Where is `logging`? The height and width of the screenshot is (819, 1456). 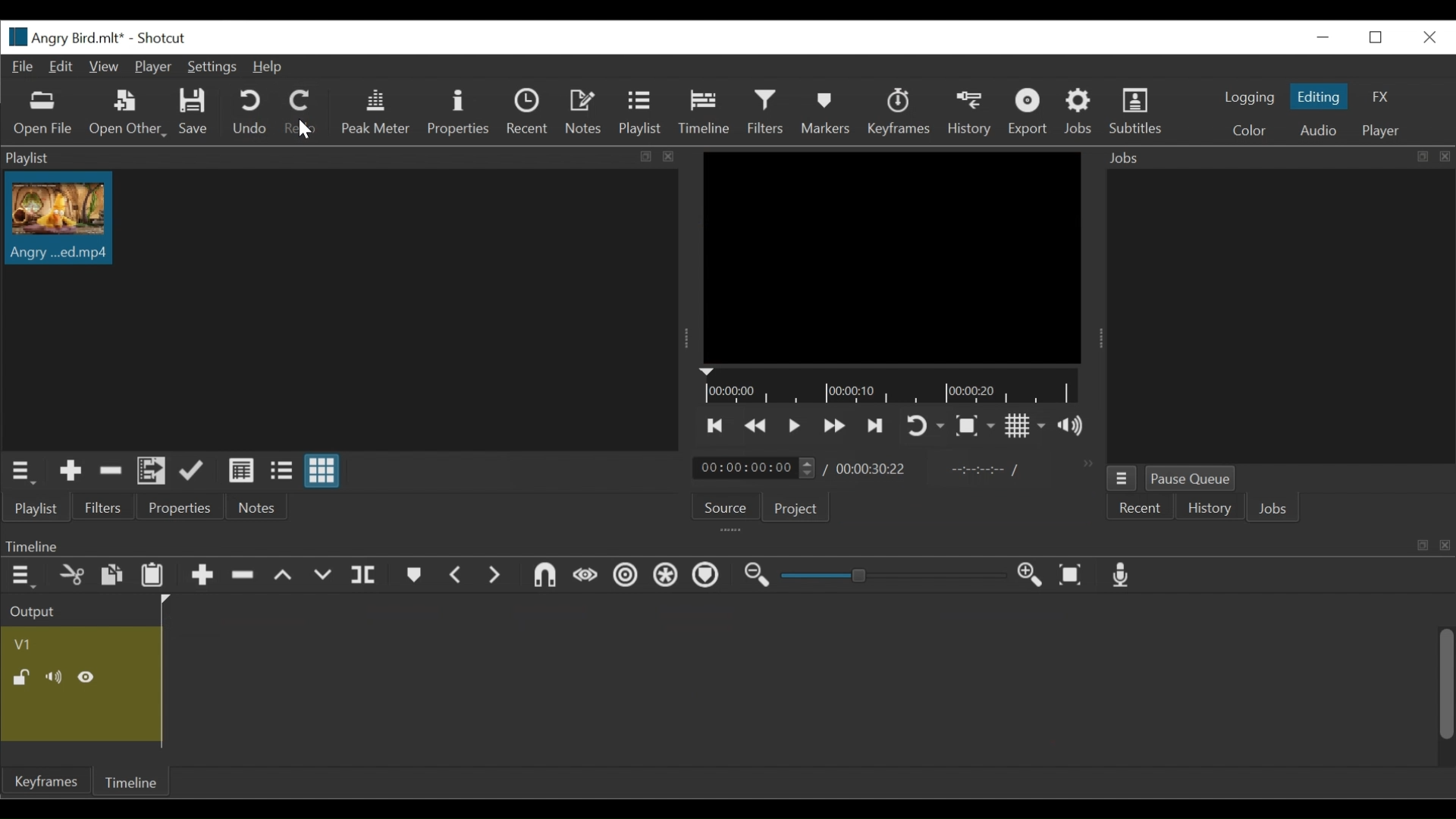
logging is located at coordinates (1248, 99).